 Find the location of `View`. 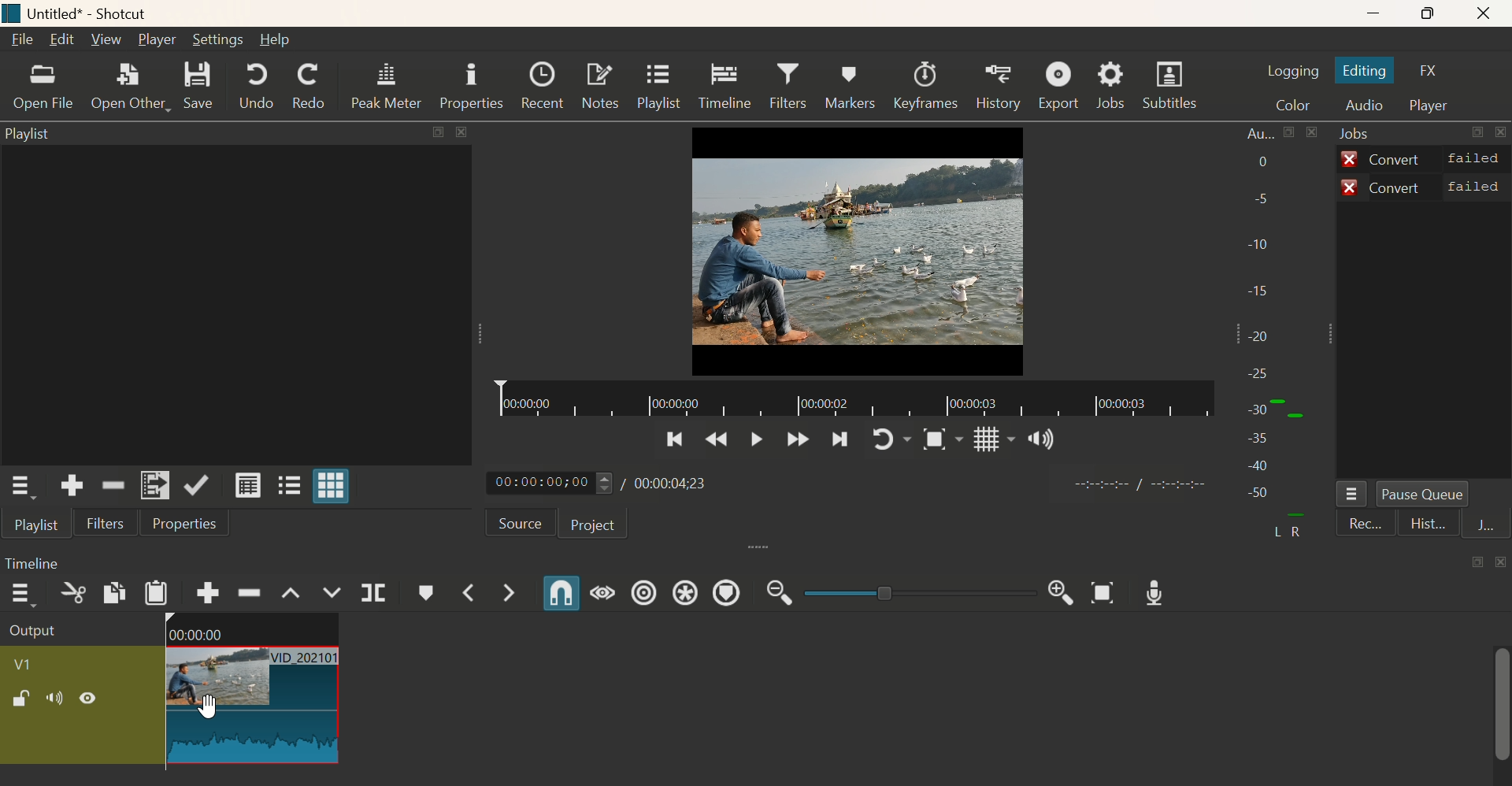

View is located at coordinates (105, 38).